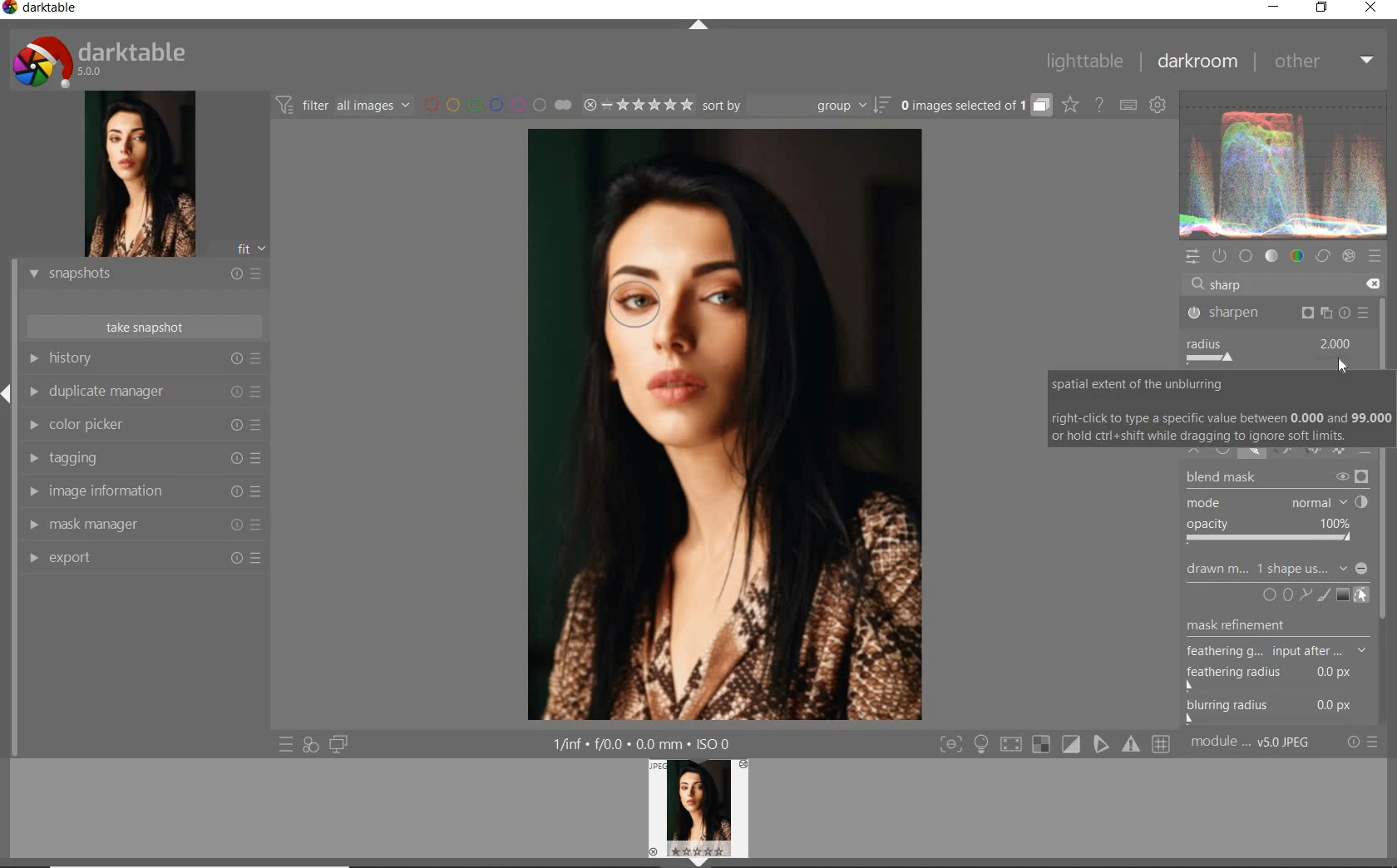  Describe the element at coordinates (1251, 741) in the screenshot. I see `module..v50JPEG` at that location.